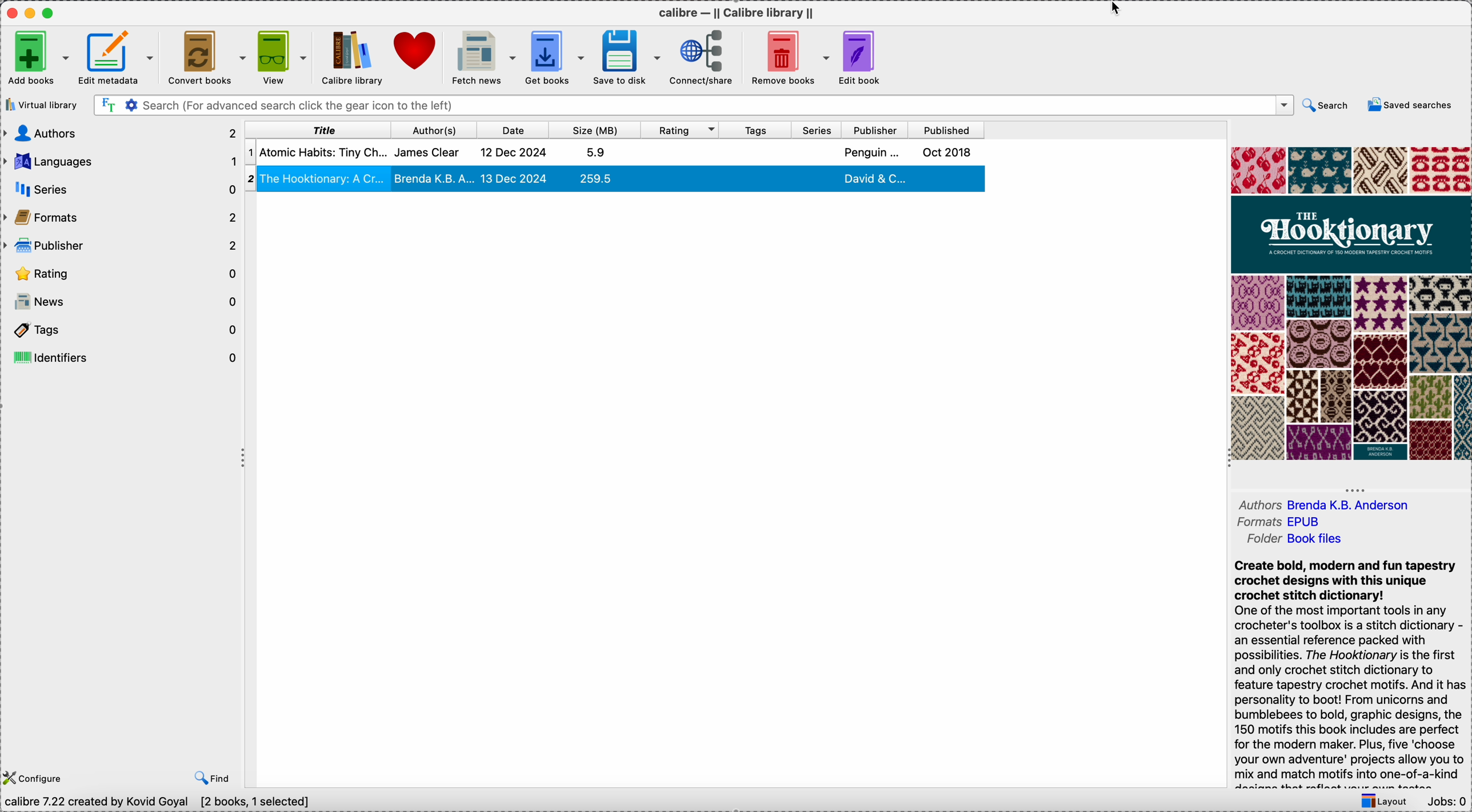  What do you see at coordinates (598, 130) in the screenshot?
I see `size` at bounding box center [598, 130].